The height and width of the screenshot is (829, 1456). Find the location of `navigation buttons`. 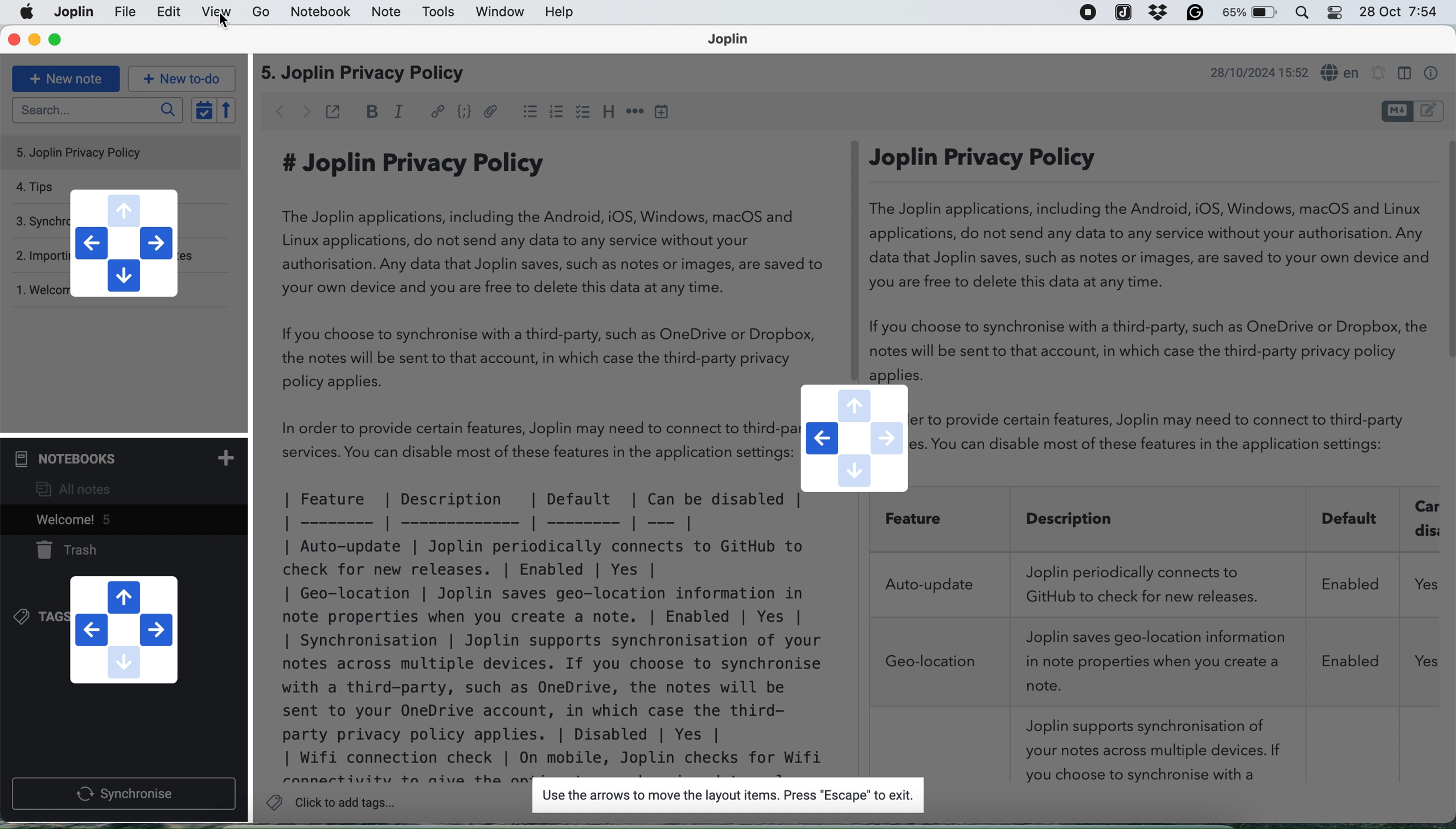

navigation buttons is located at coordinates (122, 629).